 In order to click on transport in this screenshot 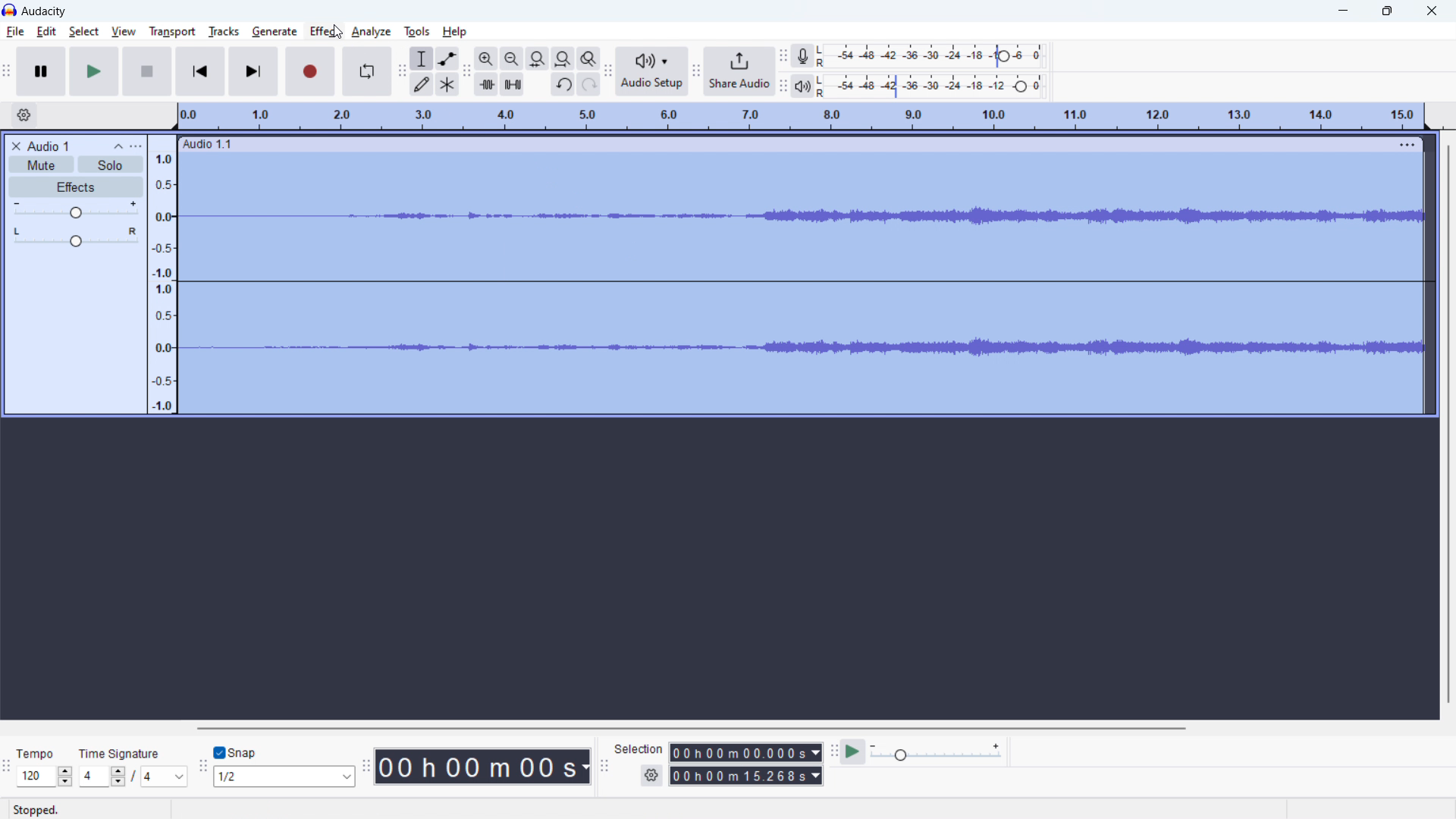, I will do `click(173, 30)`.